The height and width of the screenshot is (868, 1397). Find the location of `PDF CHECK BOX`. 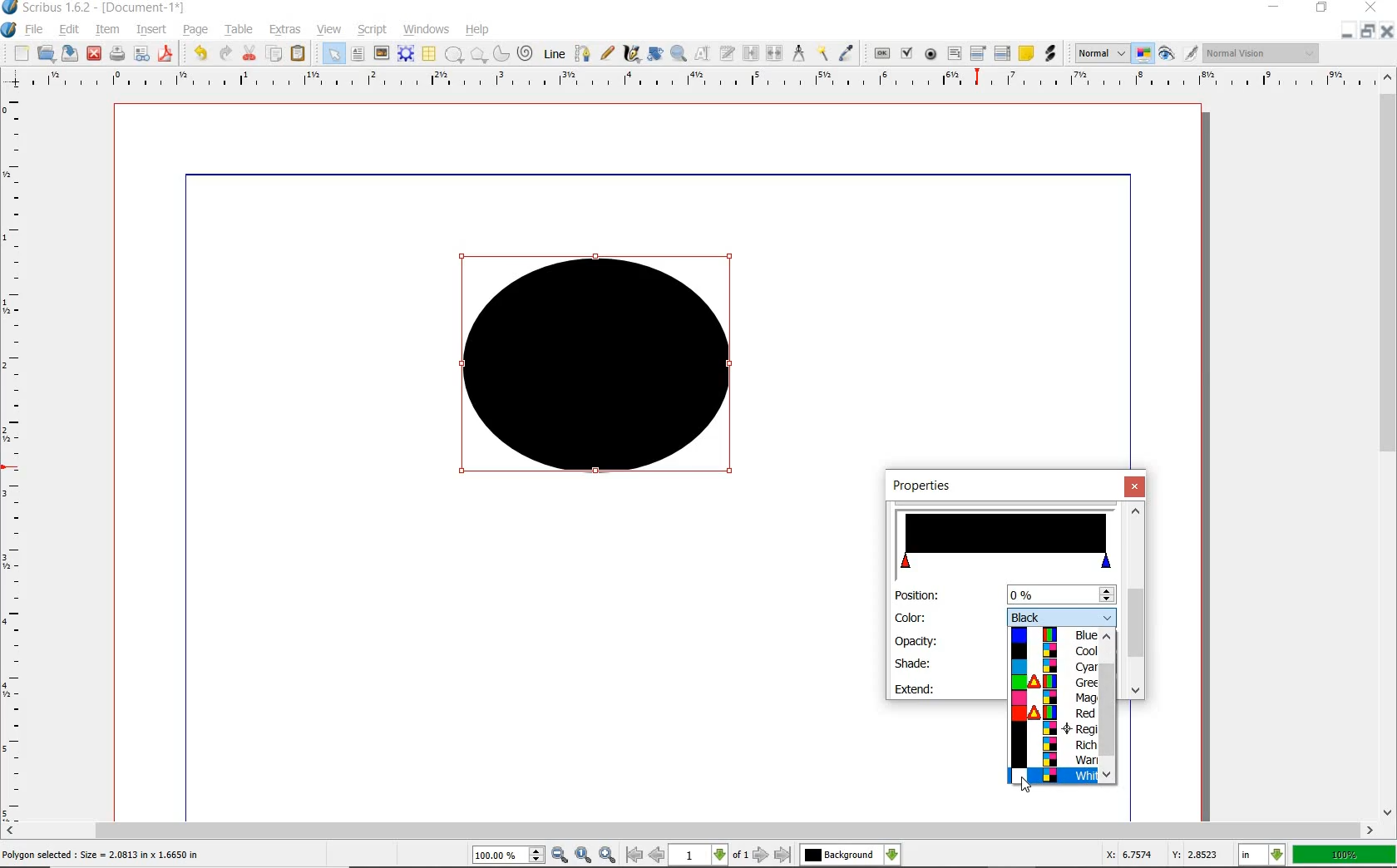

PDF CHECK BOX is located at coordinates (906, 52).